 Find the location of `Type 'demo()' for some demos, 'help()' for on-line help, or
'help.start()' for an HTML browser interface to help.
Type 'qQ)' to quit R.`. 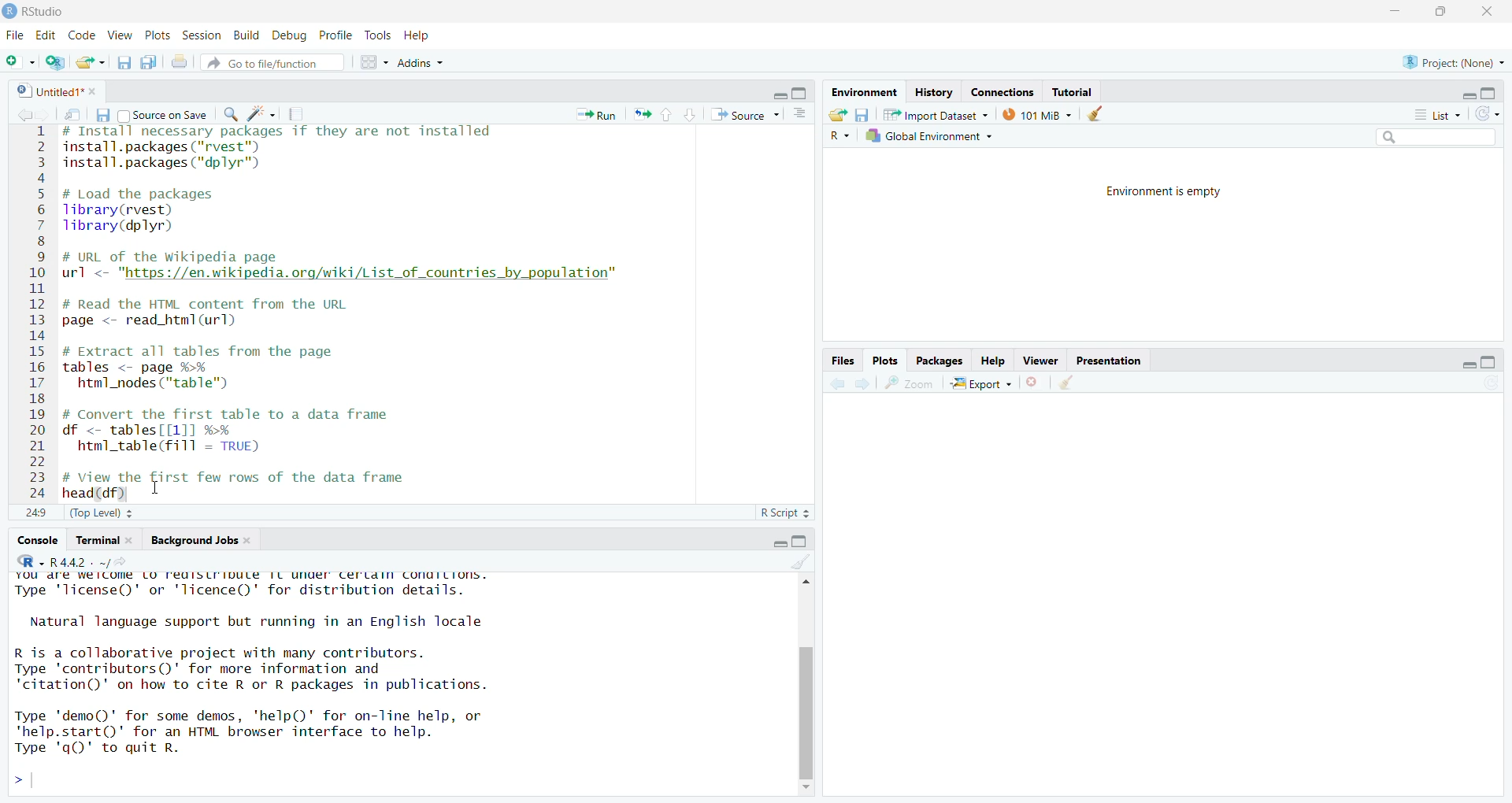

Type 'demo()' for some demos, 'help()' for on-line help, or
'help.start()' for an HTML browser interface to help.
Type 'qQ)' to quit R. is located at coordinates (254, 736).